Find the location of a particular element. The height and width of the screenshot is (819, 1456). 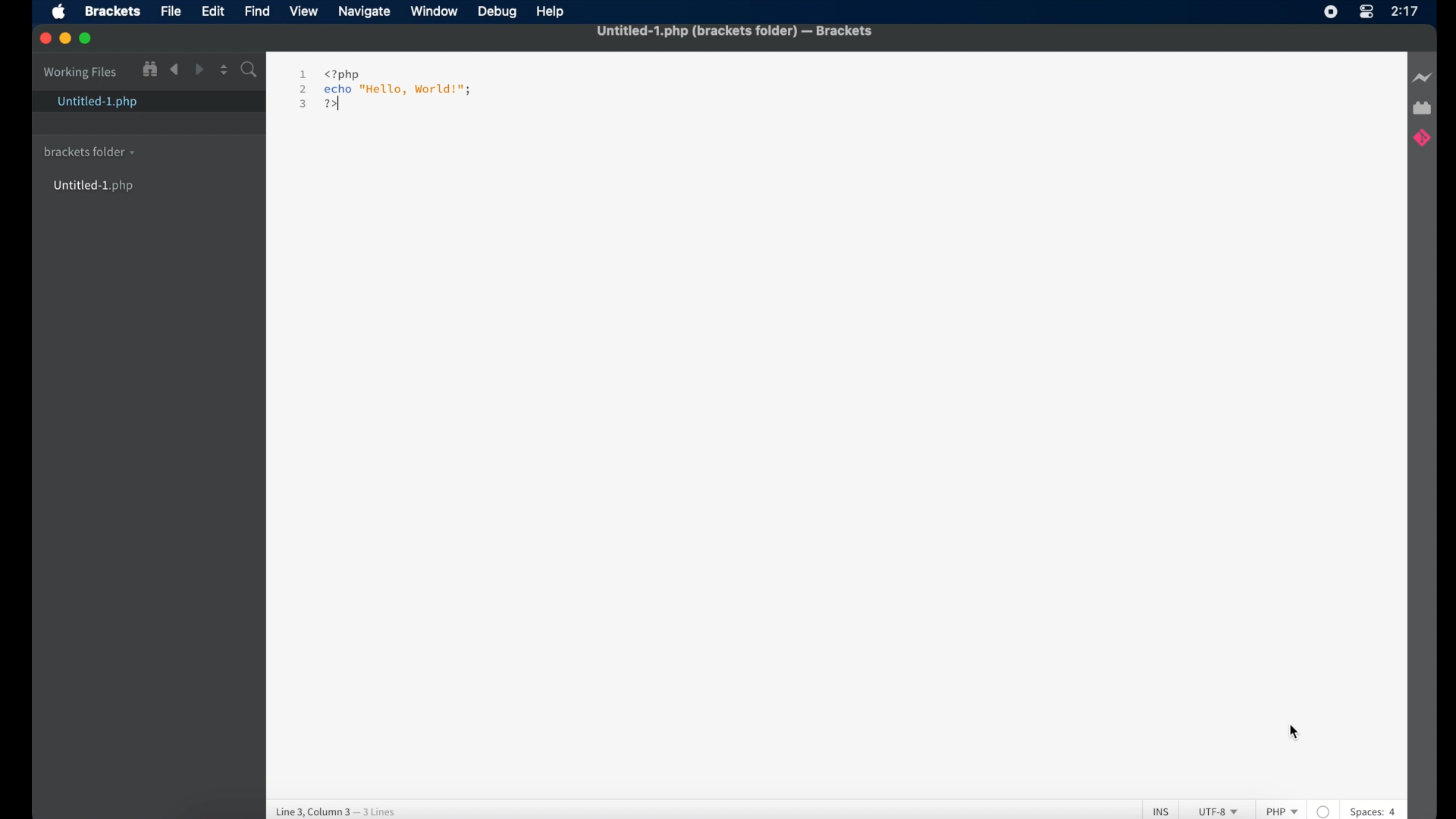

help is located at coordinates (551, 11).